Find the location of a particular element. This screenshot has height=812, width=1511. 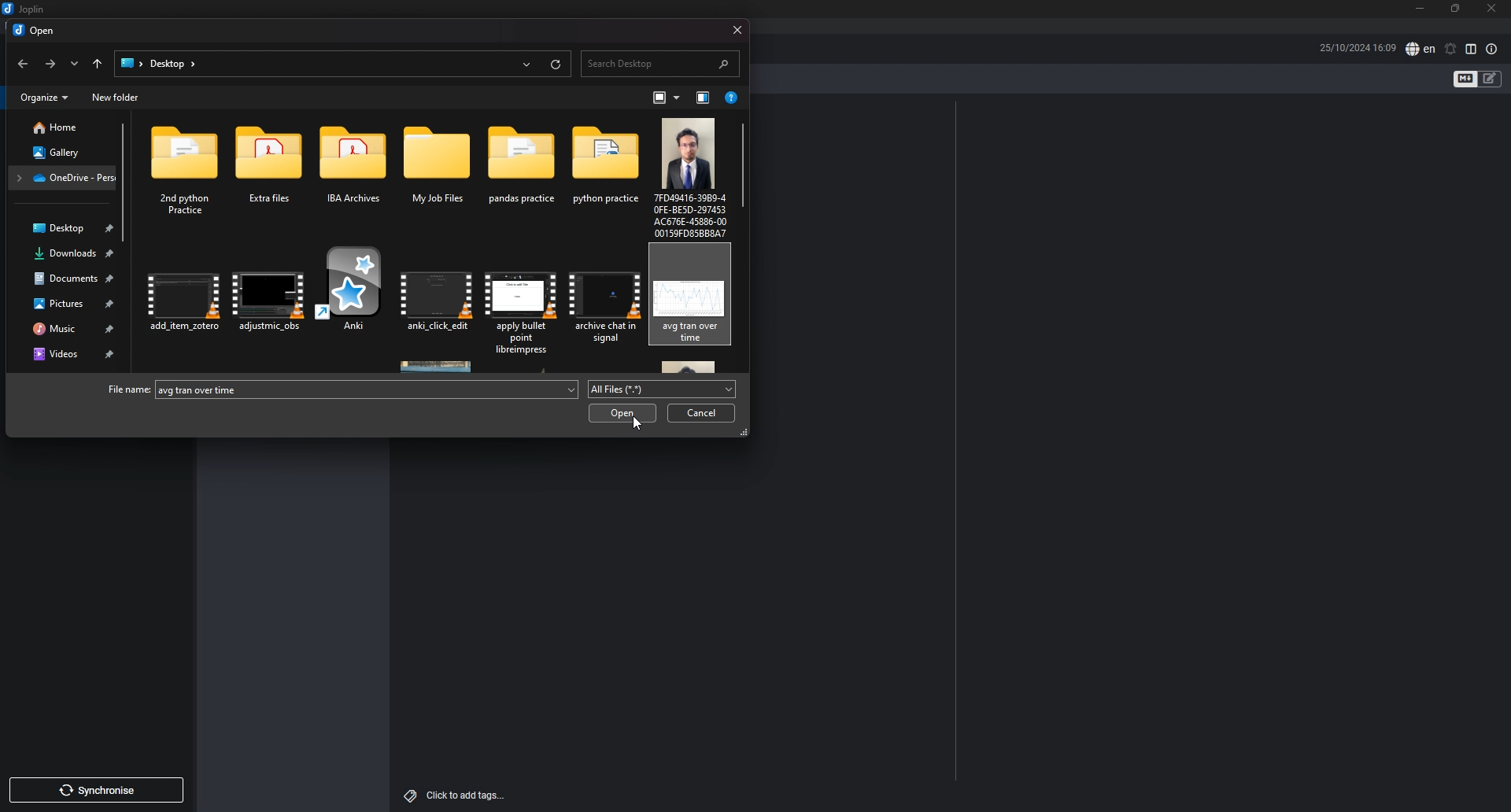

desktop is located at coordinates (64, 227).